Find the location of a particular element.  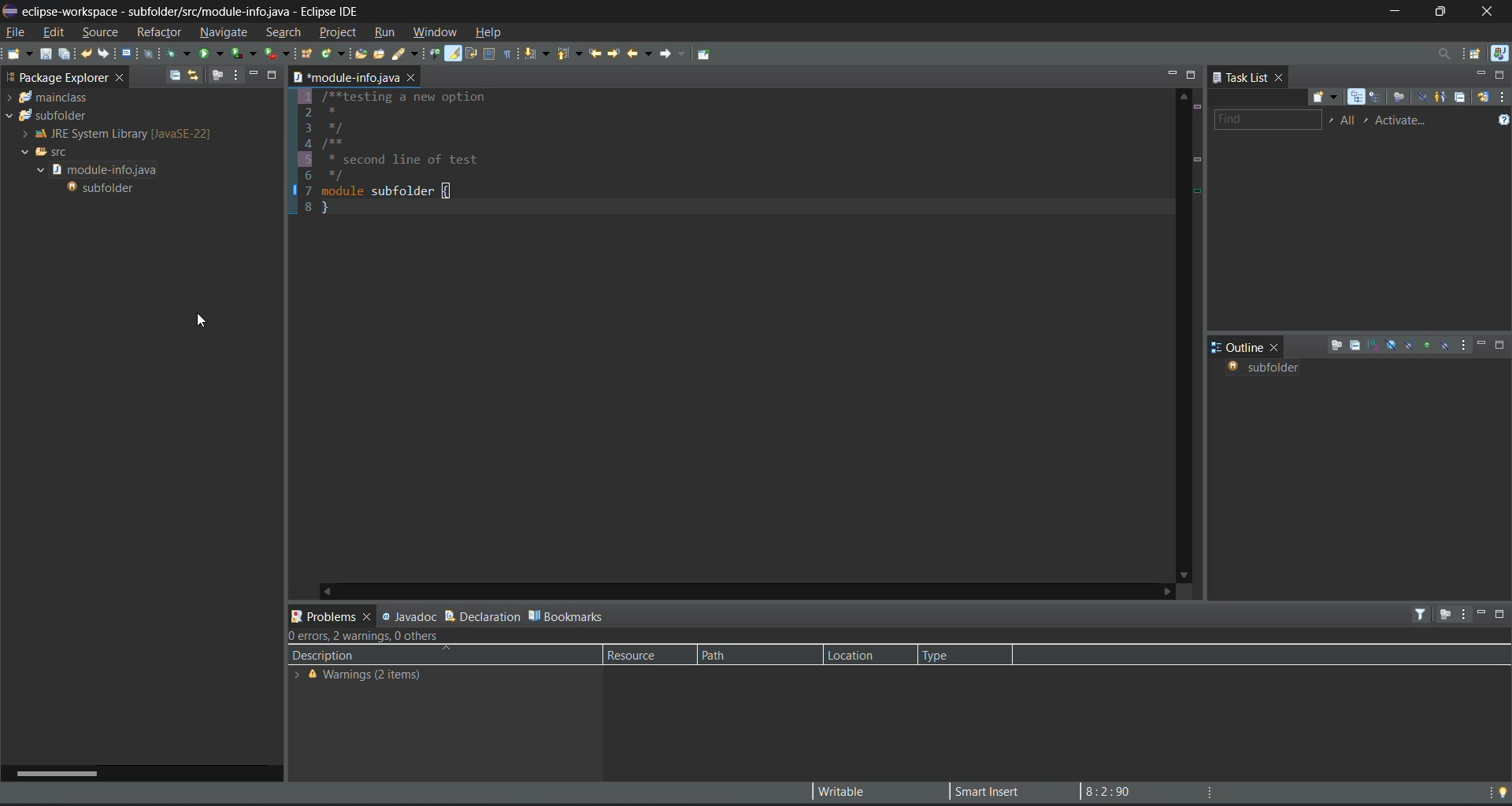

smart insert is located at coordinates (983, 791).